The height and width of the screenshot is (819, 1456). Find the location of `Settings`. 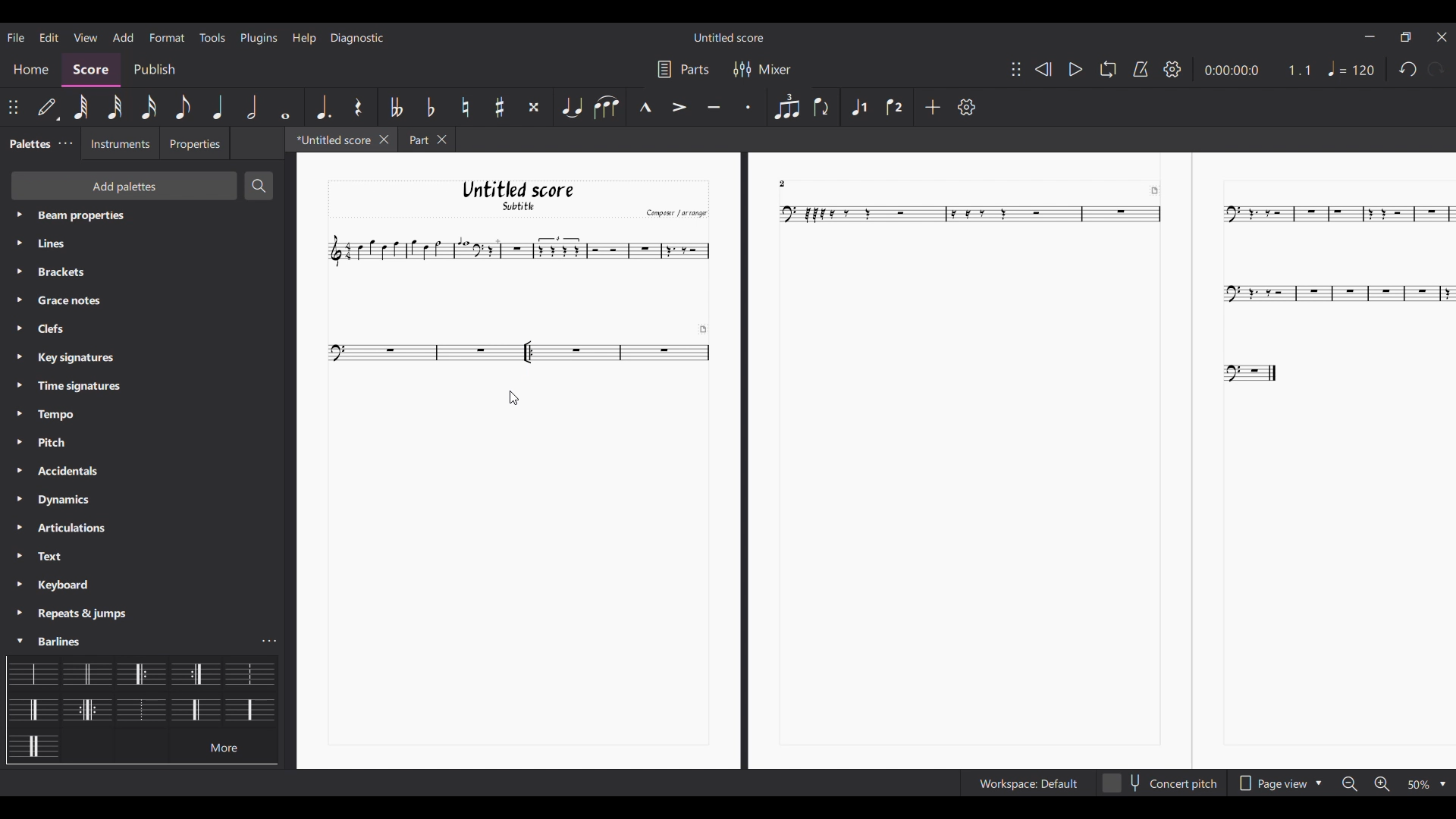

Settings is located at coordinates (1172, 69).